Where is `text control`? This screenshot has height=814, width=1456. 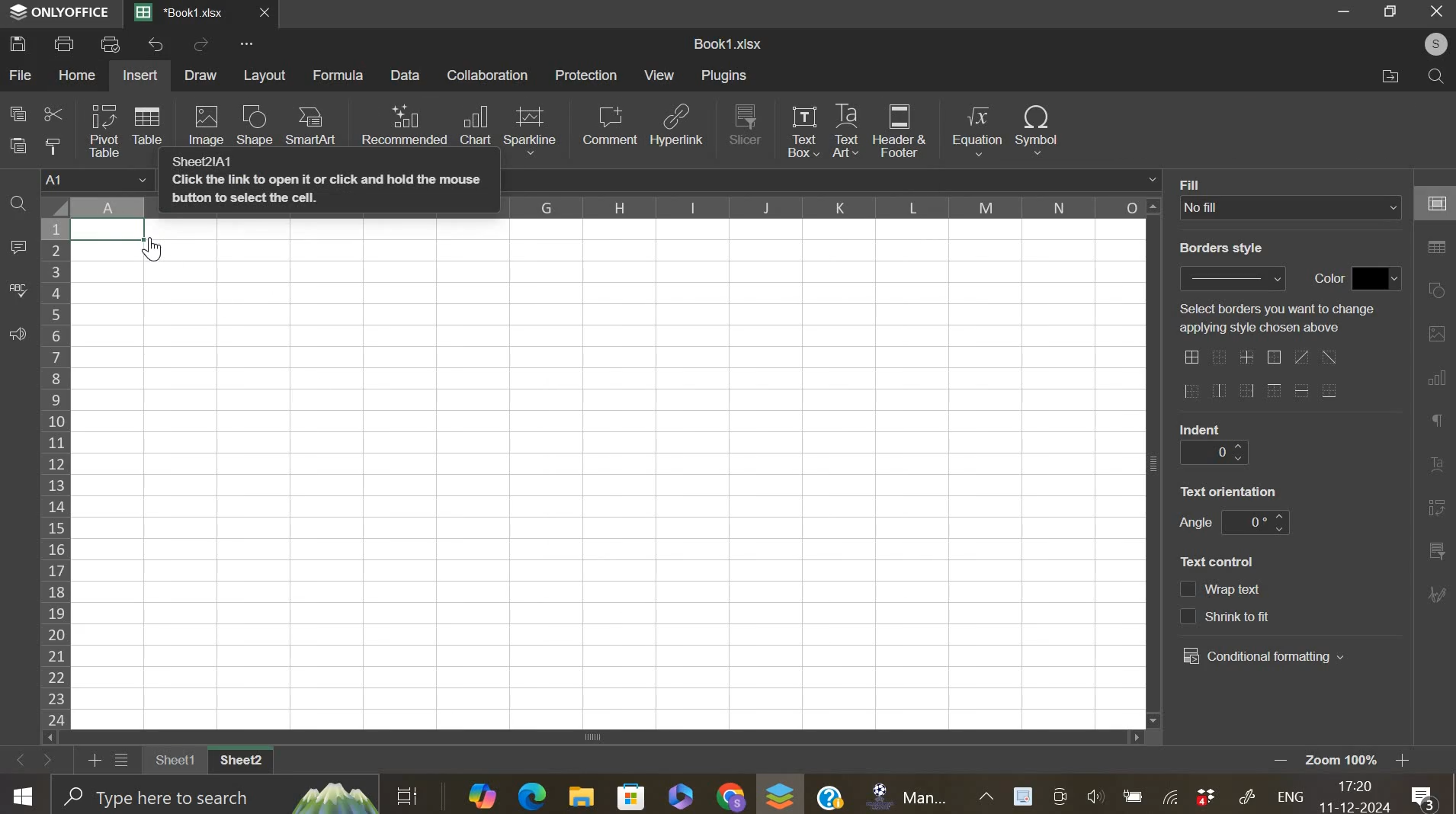
text control is located at coordinates (1226, 603).